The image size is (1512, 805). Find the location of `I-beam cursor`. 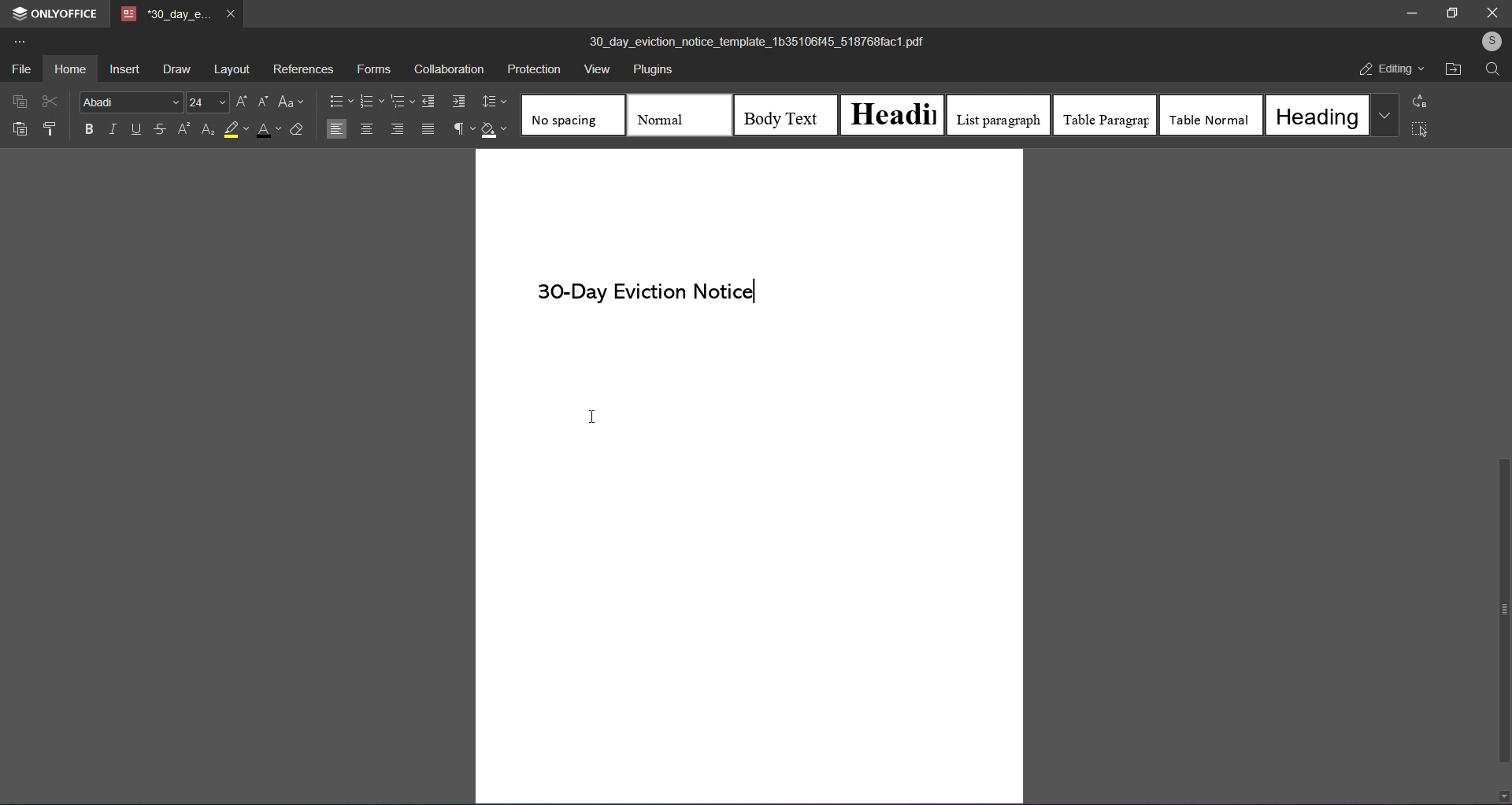

I-beam cursor is located at coordinates (592, 417).